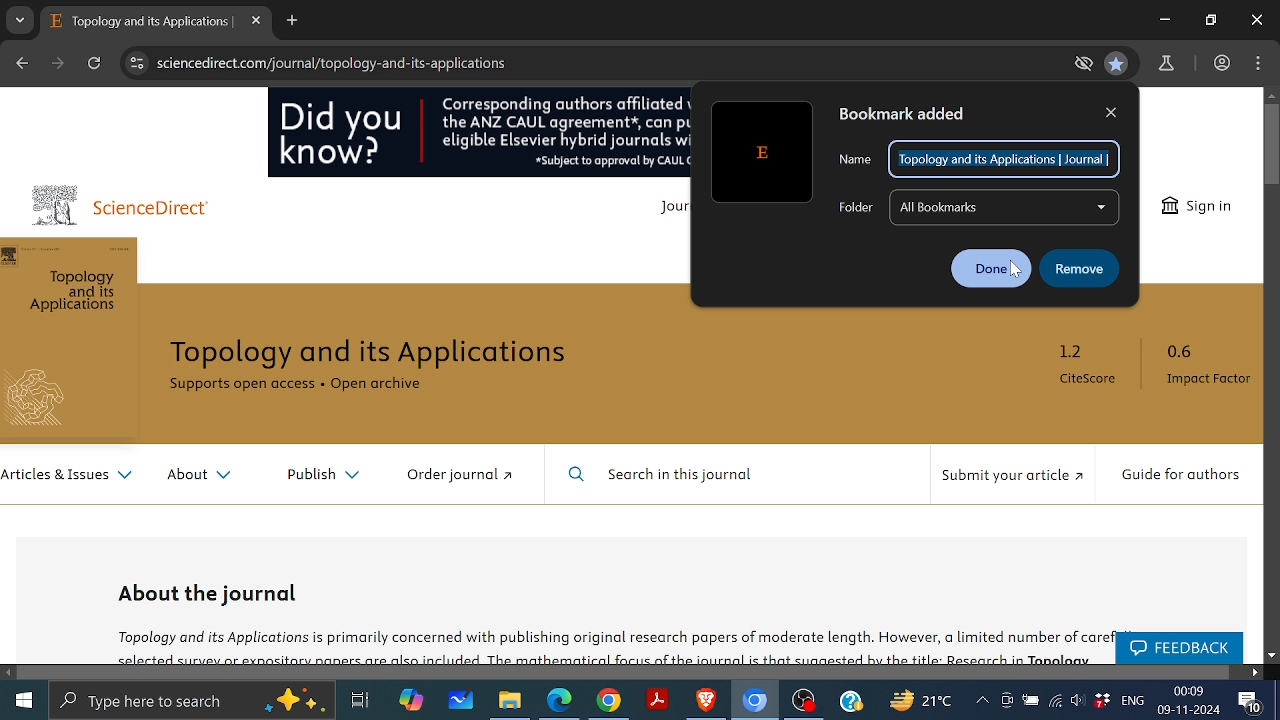 This screenshot has height=720, width=1280. I want to click on OBS Studio, so click(806, 702).